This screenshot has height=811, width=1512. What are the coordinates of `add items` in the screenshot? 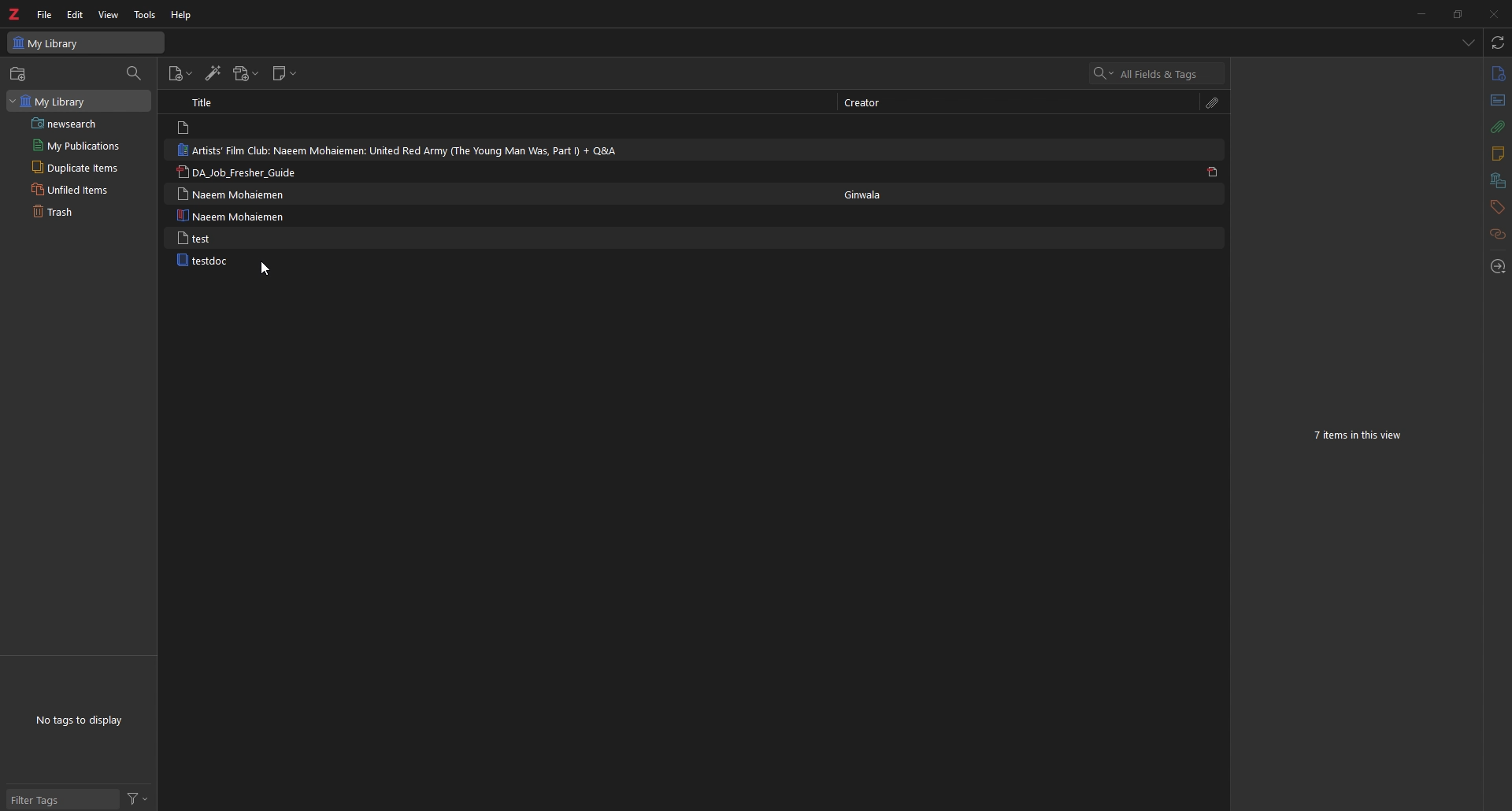 It's located at (180, 73).